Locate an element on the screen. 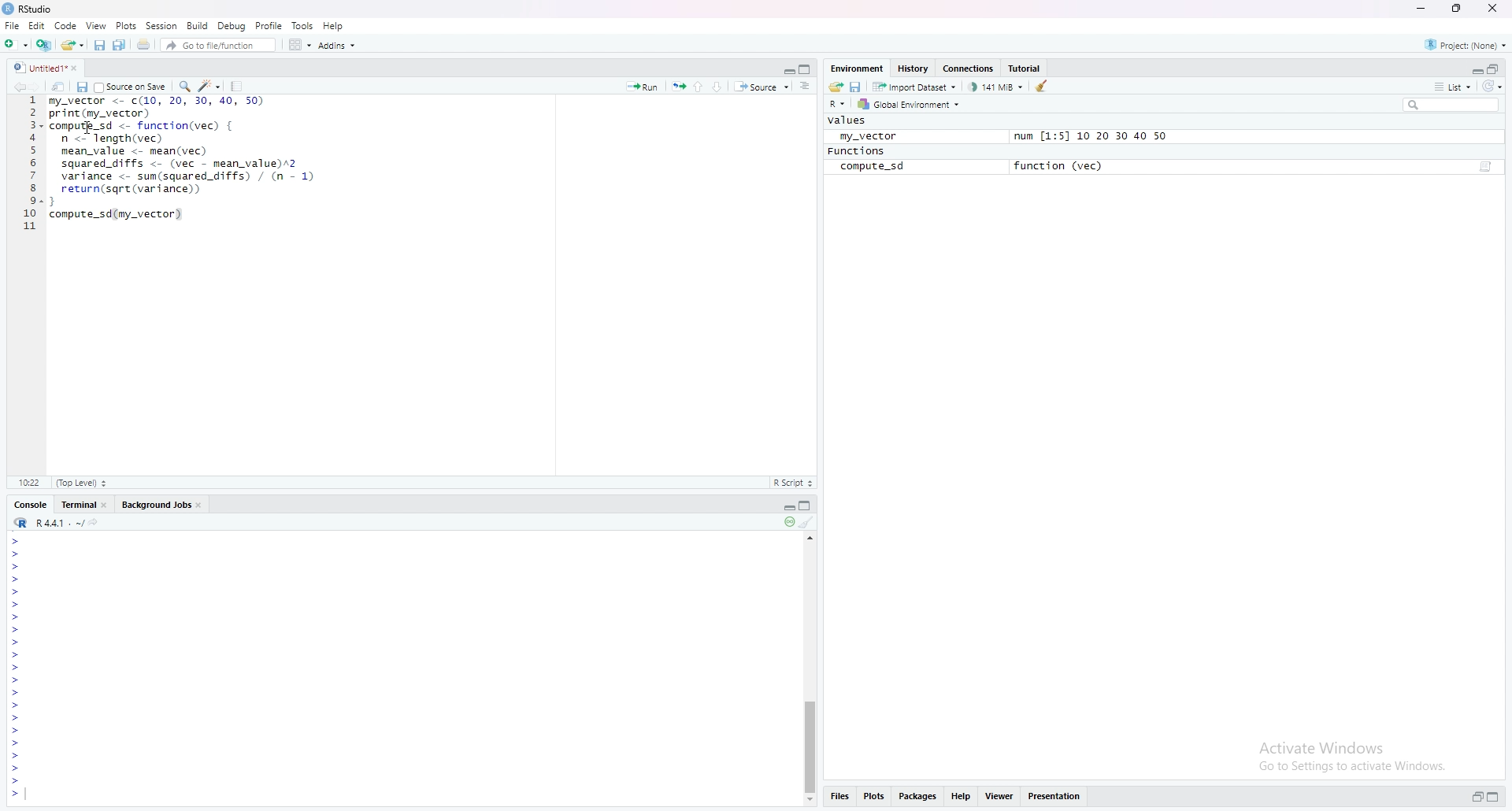 Image resolution: width=1512 pixels, height=811 pixels. Refresh the list of the objects in the environment is located at coordinates (1495, 87).